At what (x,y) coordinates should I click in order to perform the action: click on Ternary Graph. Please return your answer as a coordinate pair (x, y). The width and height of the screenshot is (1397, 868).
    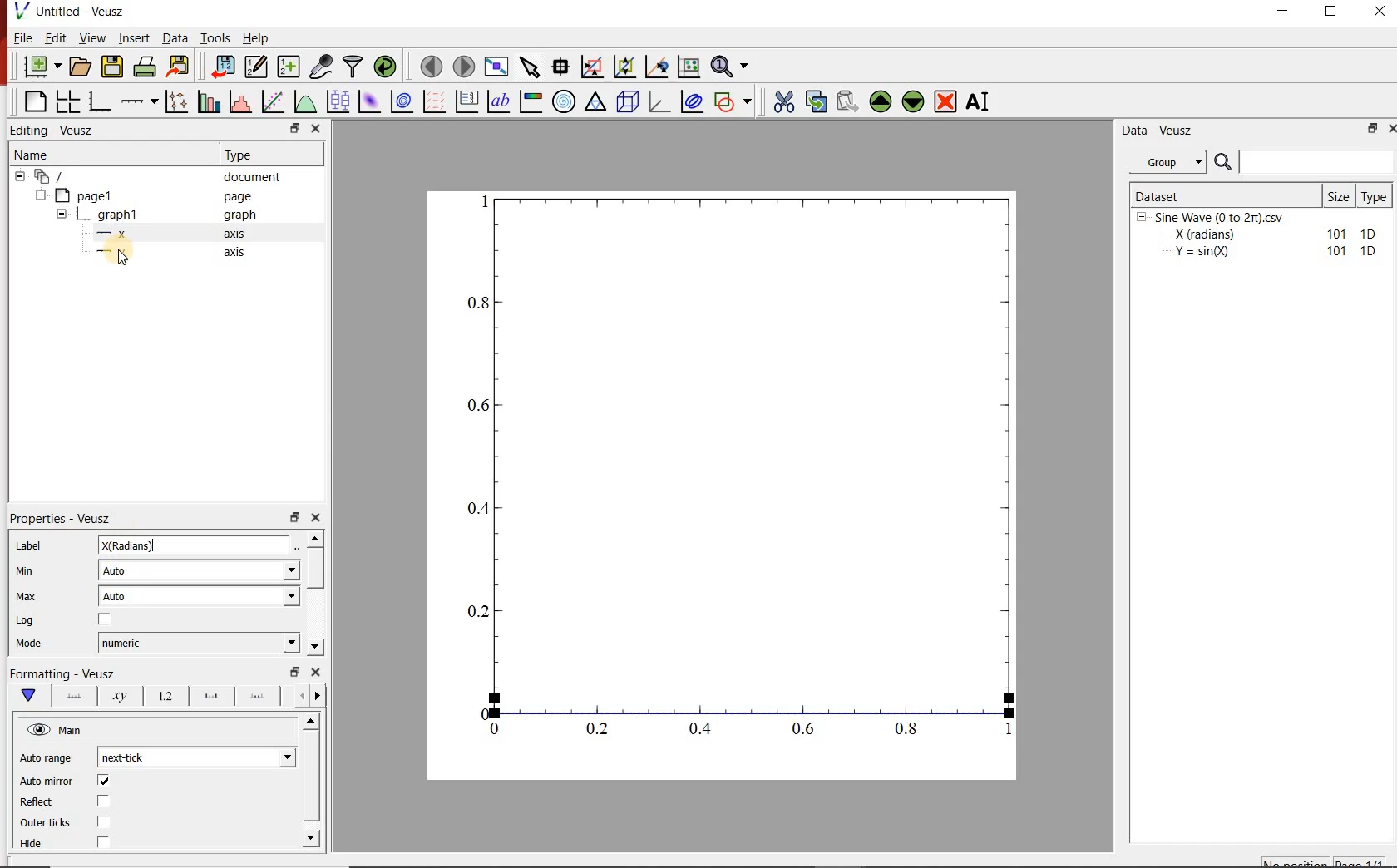
    Looking at the image, I should click on (596, 101).